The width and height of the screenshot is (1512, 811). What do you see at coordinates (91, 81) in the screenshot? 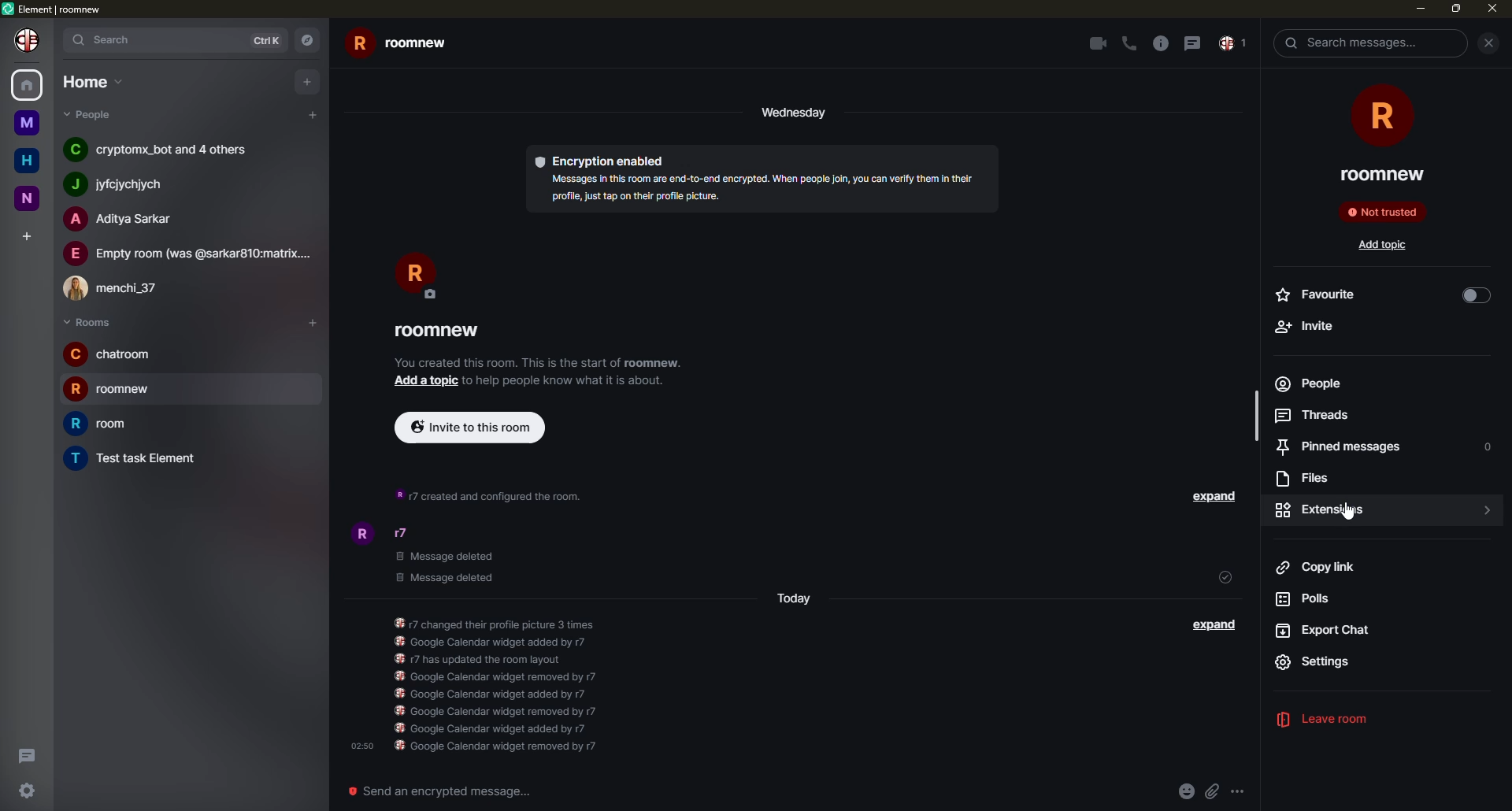
I see `home` at bounding box center [91, 81].